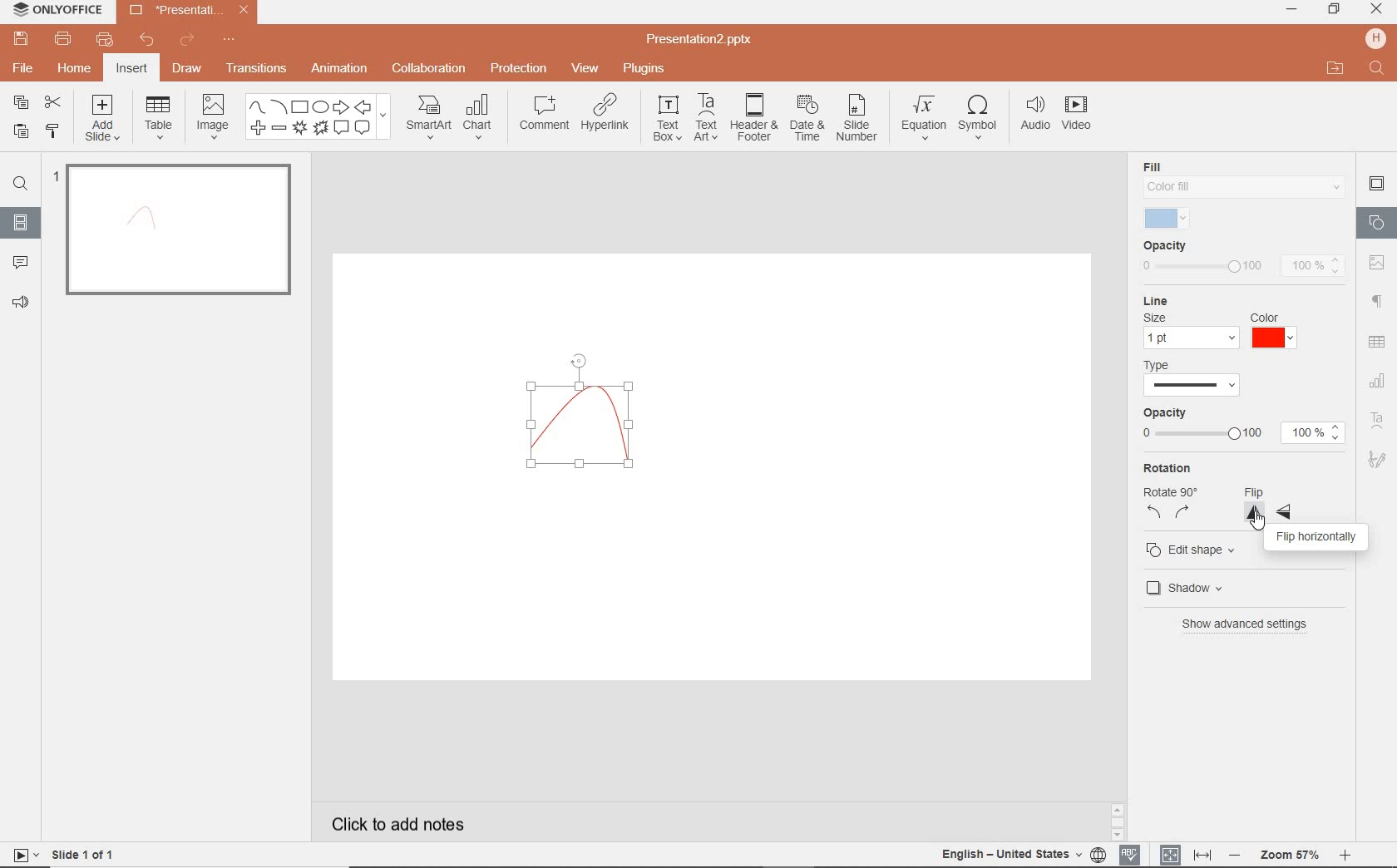 The image size is (1397, 868). Describe the element at coordinates (188, 70) in the screenshot. I see `DRAW` at that location.